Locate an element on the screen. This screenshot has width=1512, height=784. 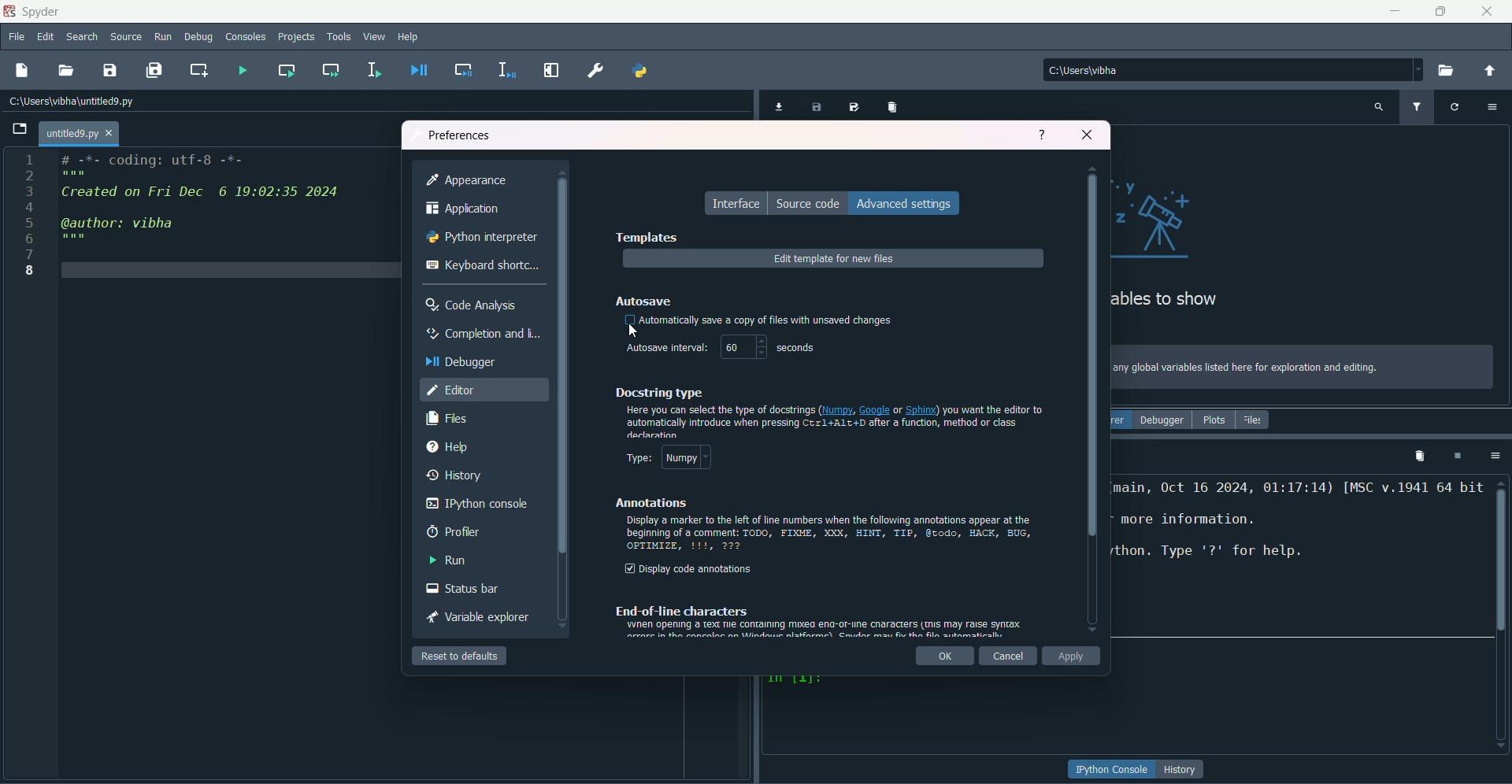
create new cell is located at coordinates (199, 69).